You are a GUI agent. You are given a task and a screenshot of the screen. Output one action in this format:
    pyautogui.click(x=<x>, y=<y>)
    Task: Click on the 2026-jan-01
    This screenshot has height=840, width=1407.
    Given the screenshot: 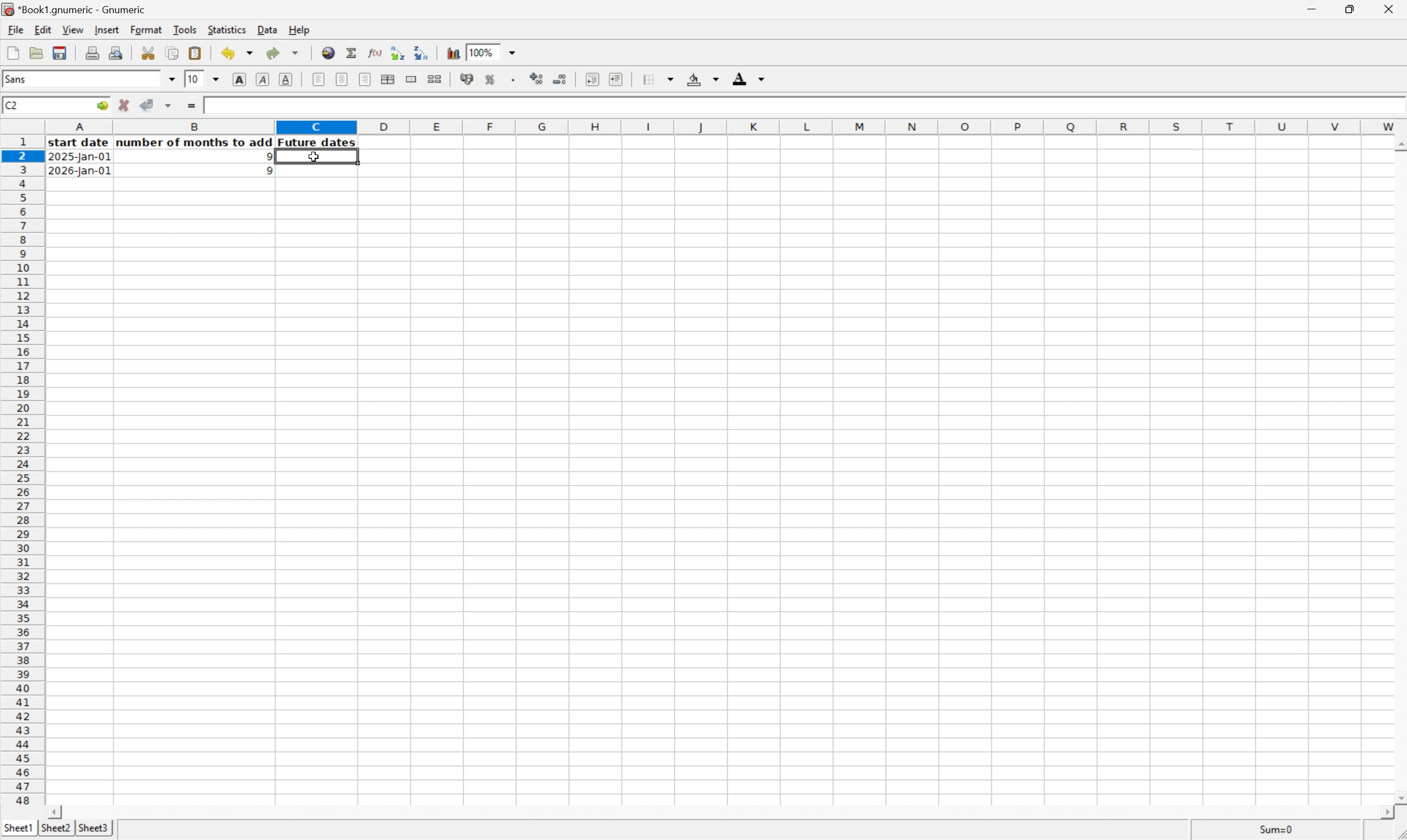 What is the action you would take?
    pyautogui.click(x=79, y=172)
    